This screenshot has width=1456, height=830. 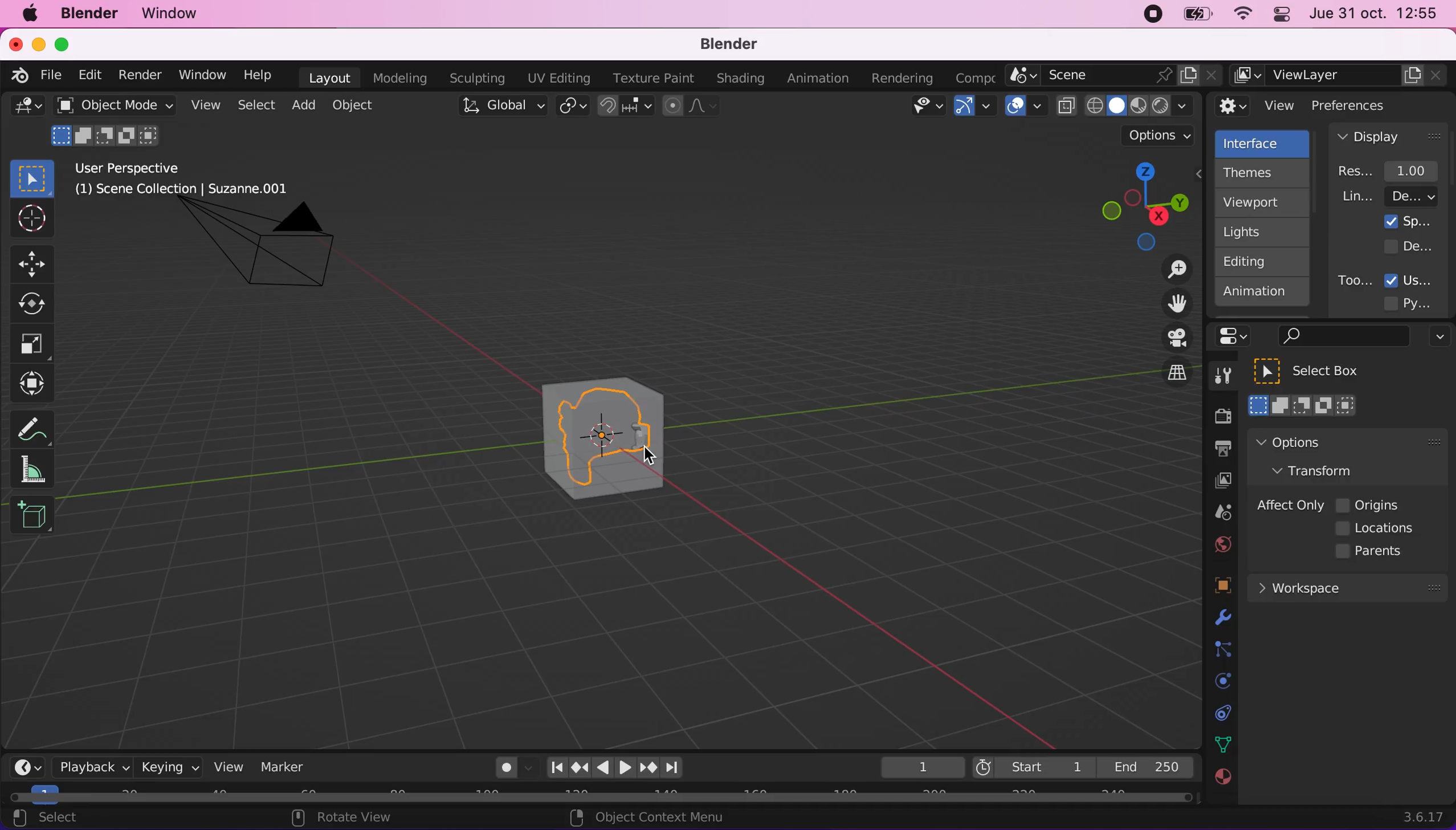 I want to click on options, so click(x=1160, y=136).